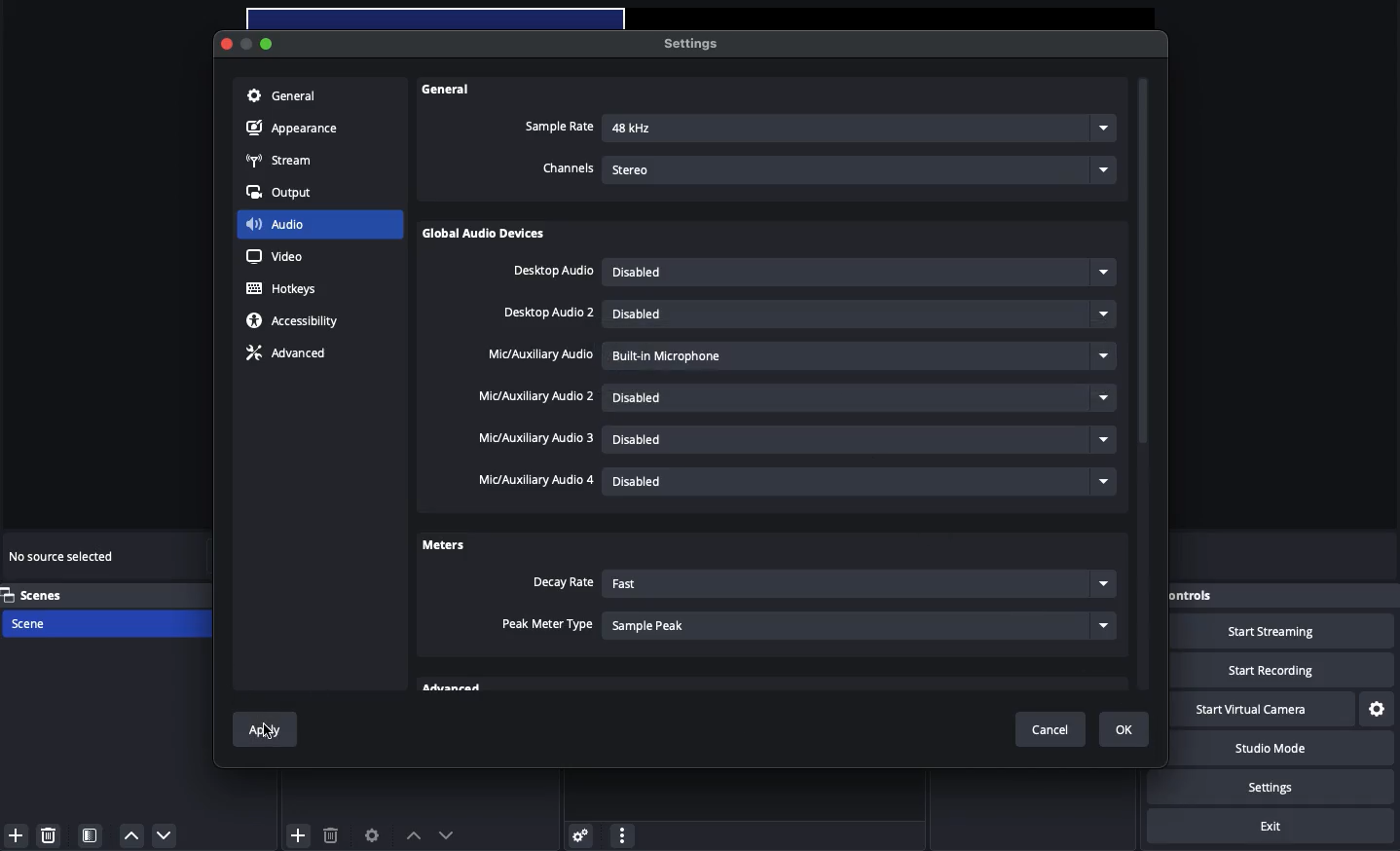 The width and height of the screenshot is (1400, 851). Describe the element at coordinates (688, 43) in the screenshot. I see `Settings` at that location.